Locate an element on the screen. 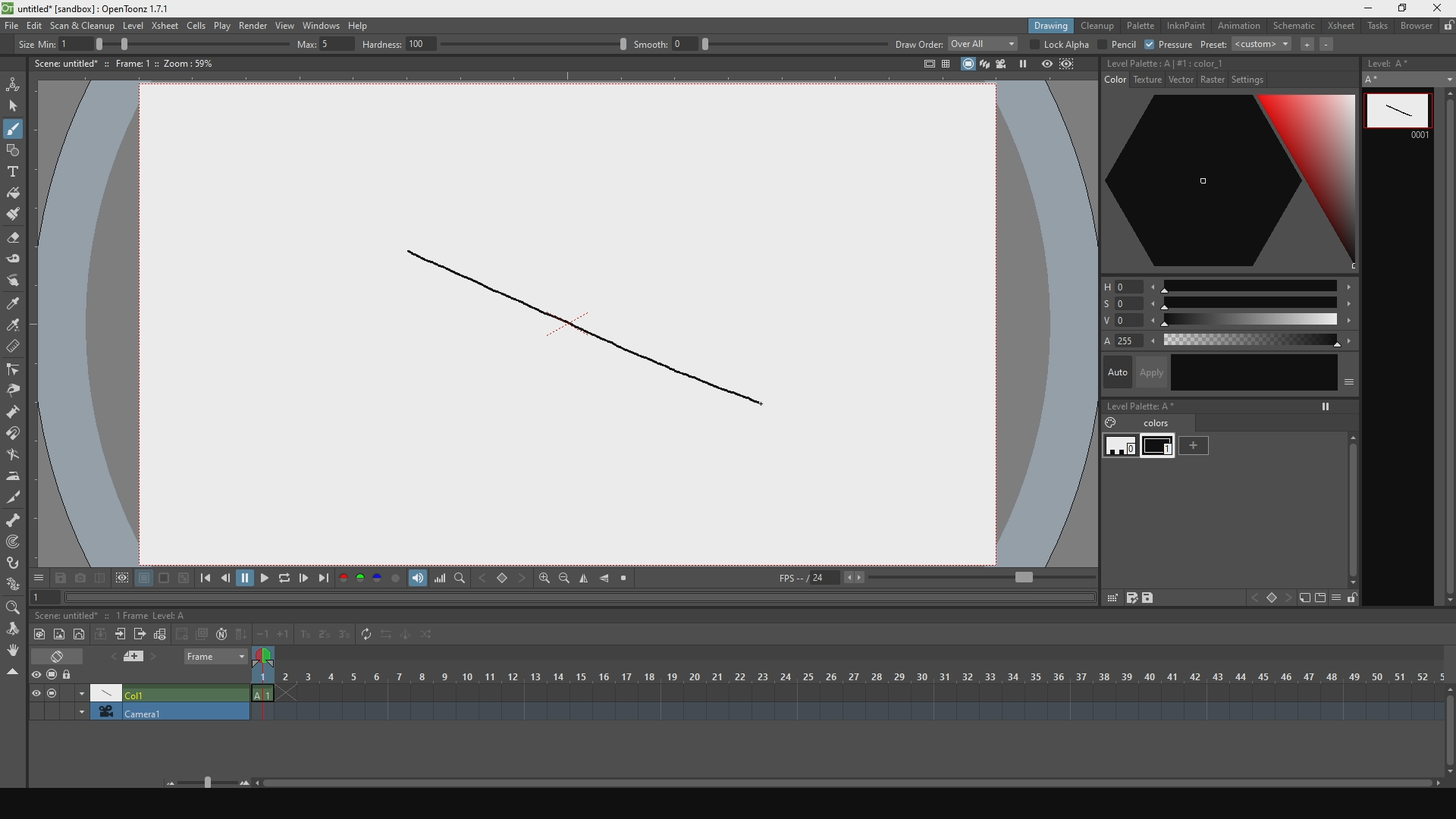 The image size is (1456, 819). close is located at coordinates (1436, 8).